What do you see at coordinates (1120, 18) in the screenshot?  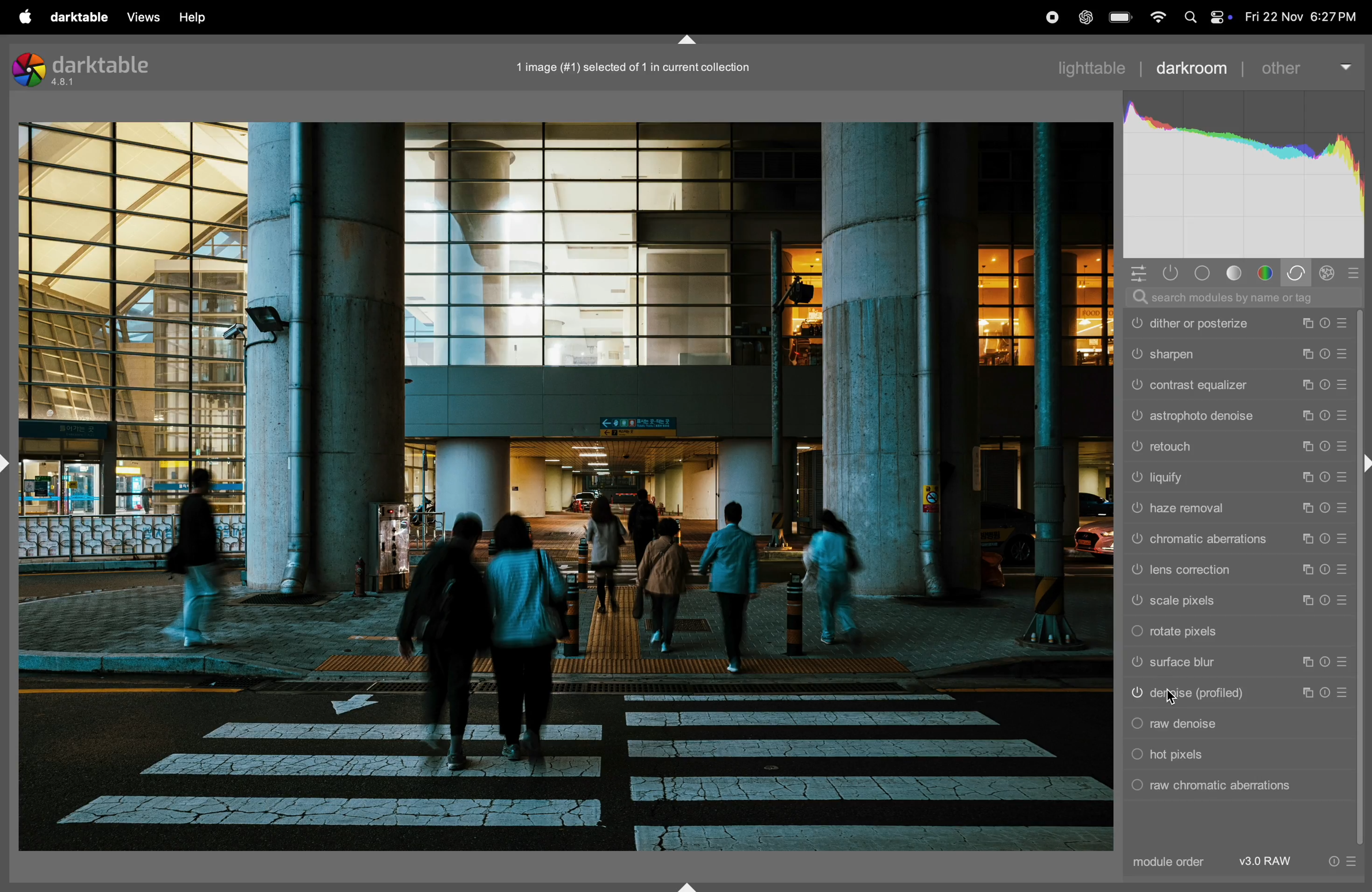 I see `battery` at bounding box center [1120, 18].